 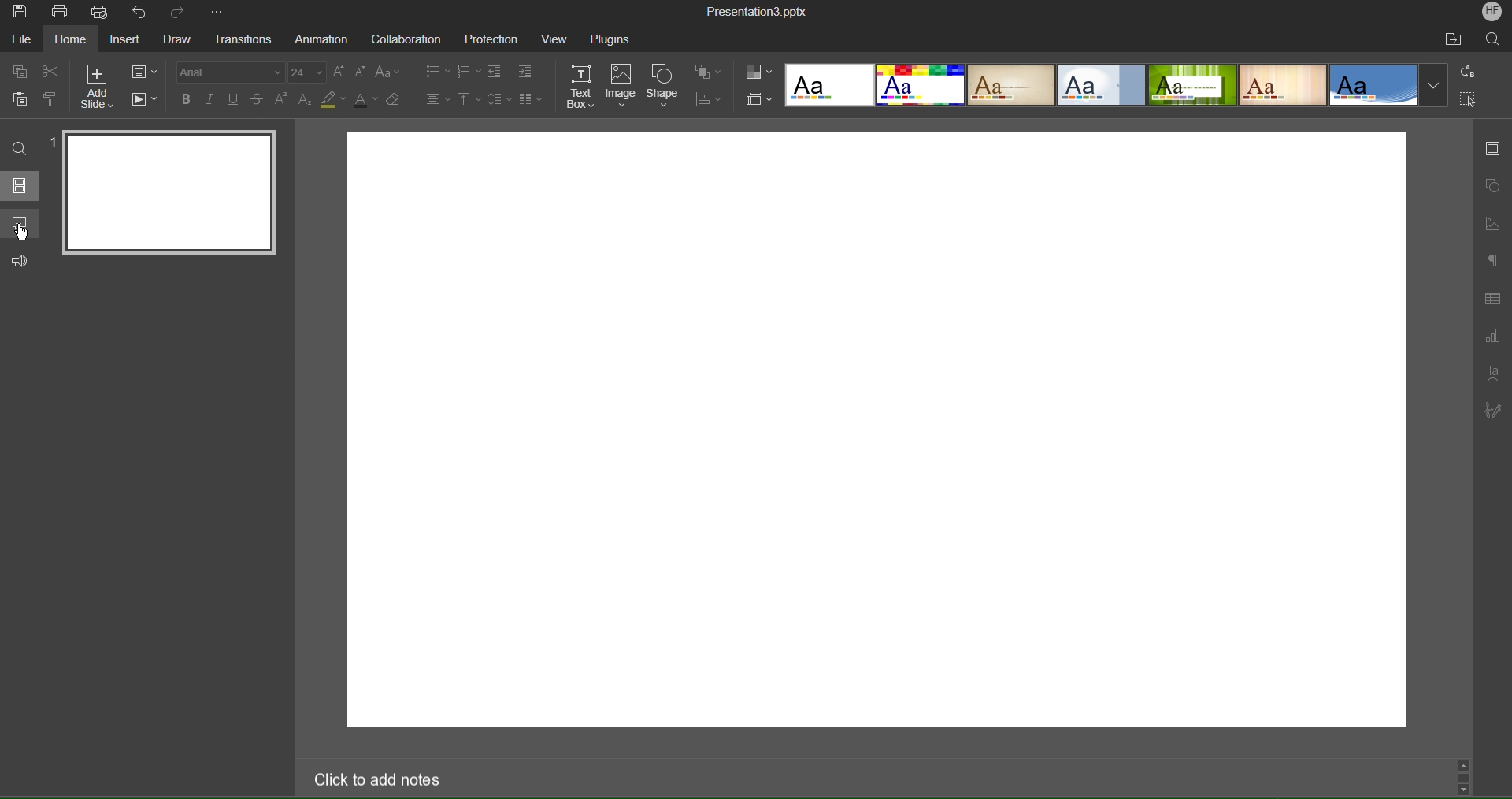 What do you see at coordinates (176, 40) in the screenshot?
I see `Draw` at bounding box center [176, 40].